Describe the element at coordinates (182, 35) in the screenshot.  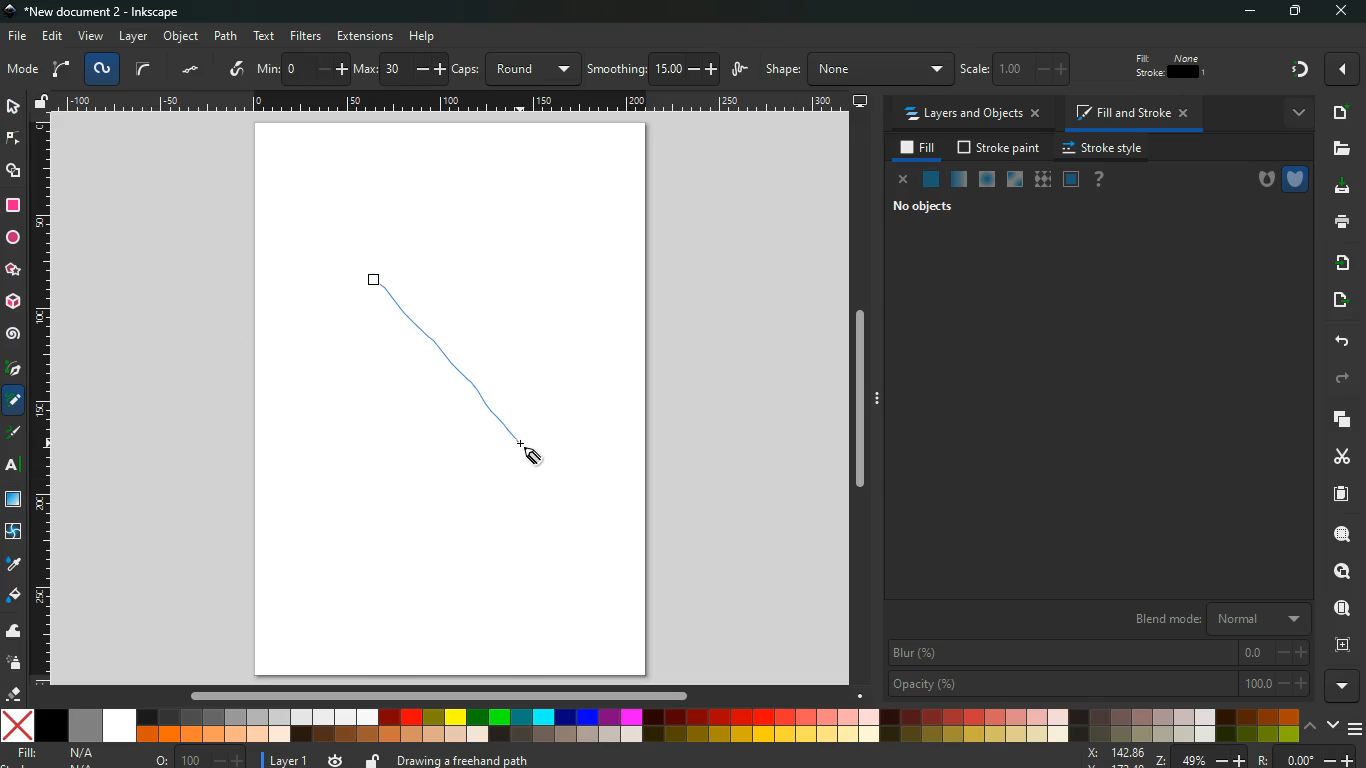
I see `object` at that location.